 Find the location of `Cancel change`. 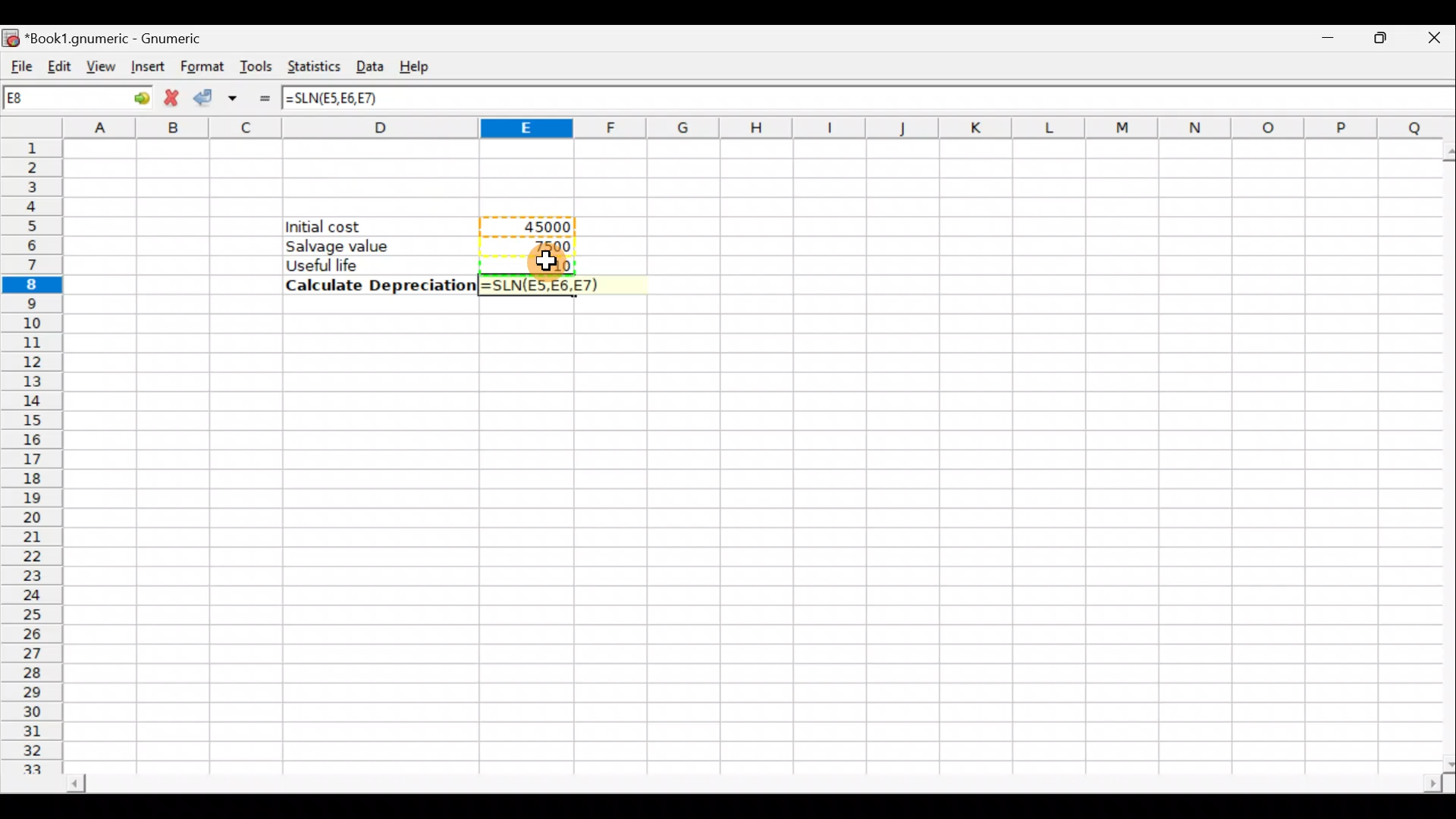

Cancel change is located at coordinates (172, 98).